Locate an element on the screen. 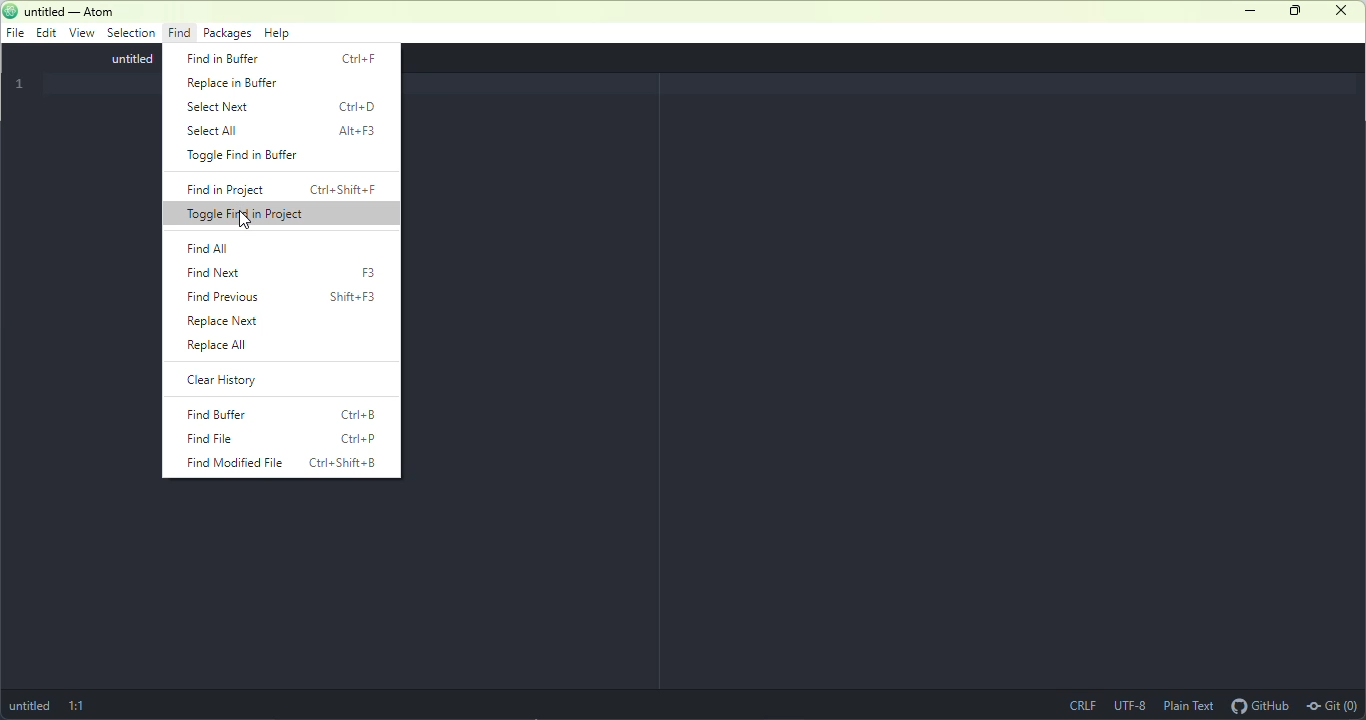 The height and width of the screenshot is (720, 1366). plain text is located at coordinates (1188, 706).